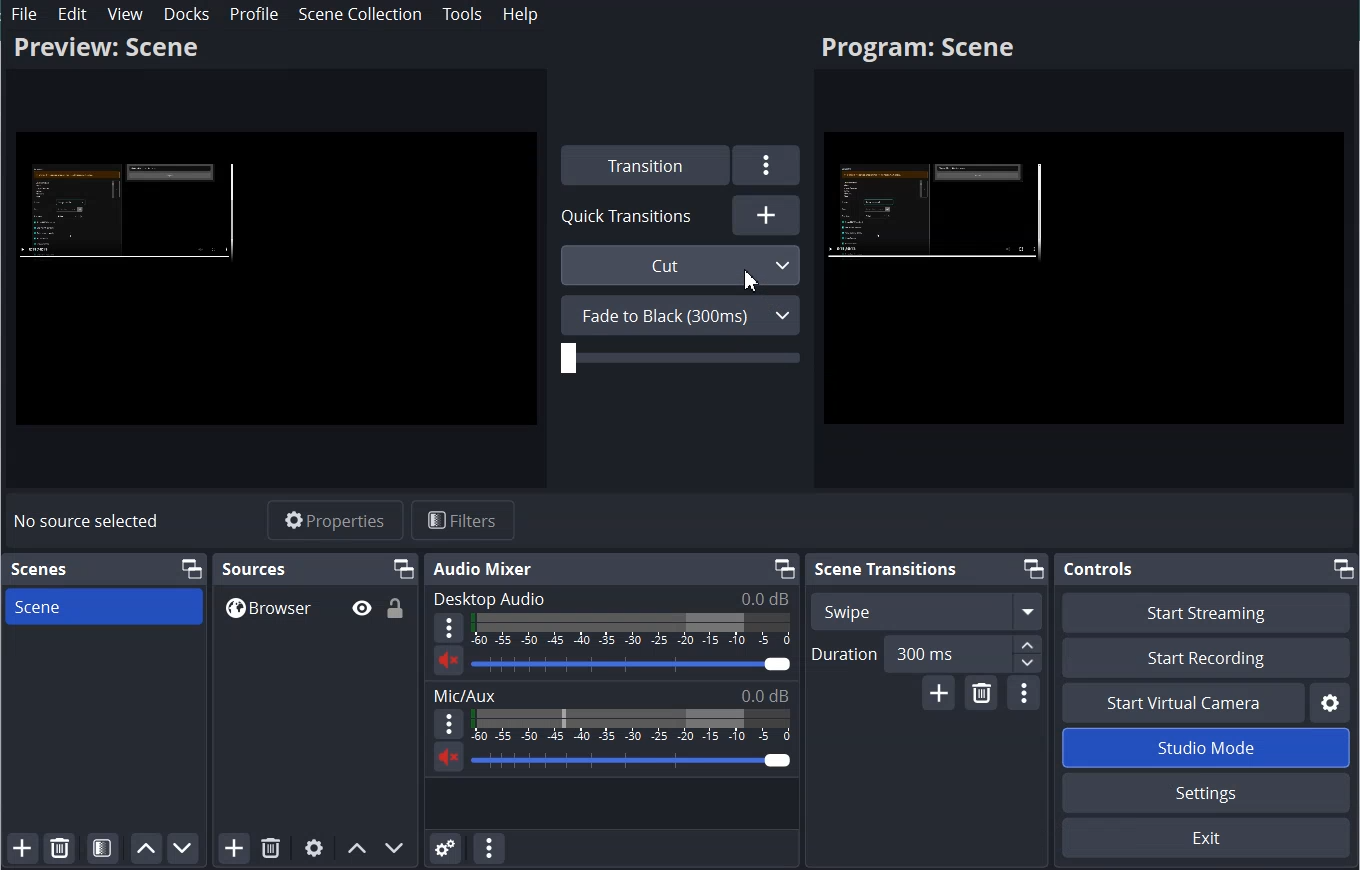  What do you see at coordinates (448, 724) in the screenshot?
I see `More` at bounding box center [448, 724].